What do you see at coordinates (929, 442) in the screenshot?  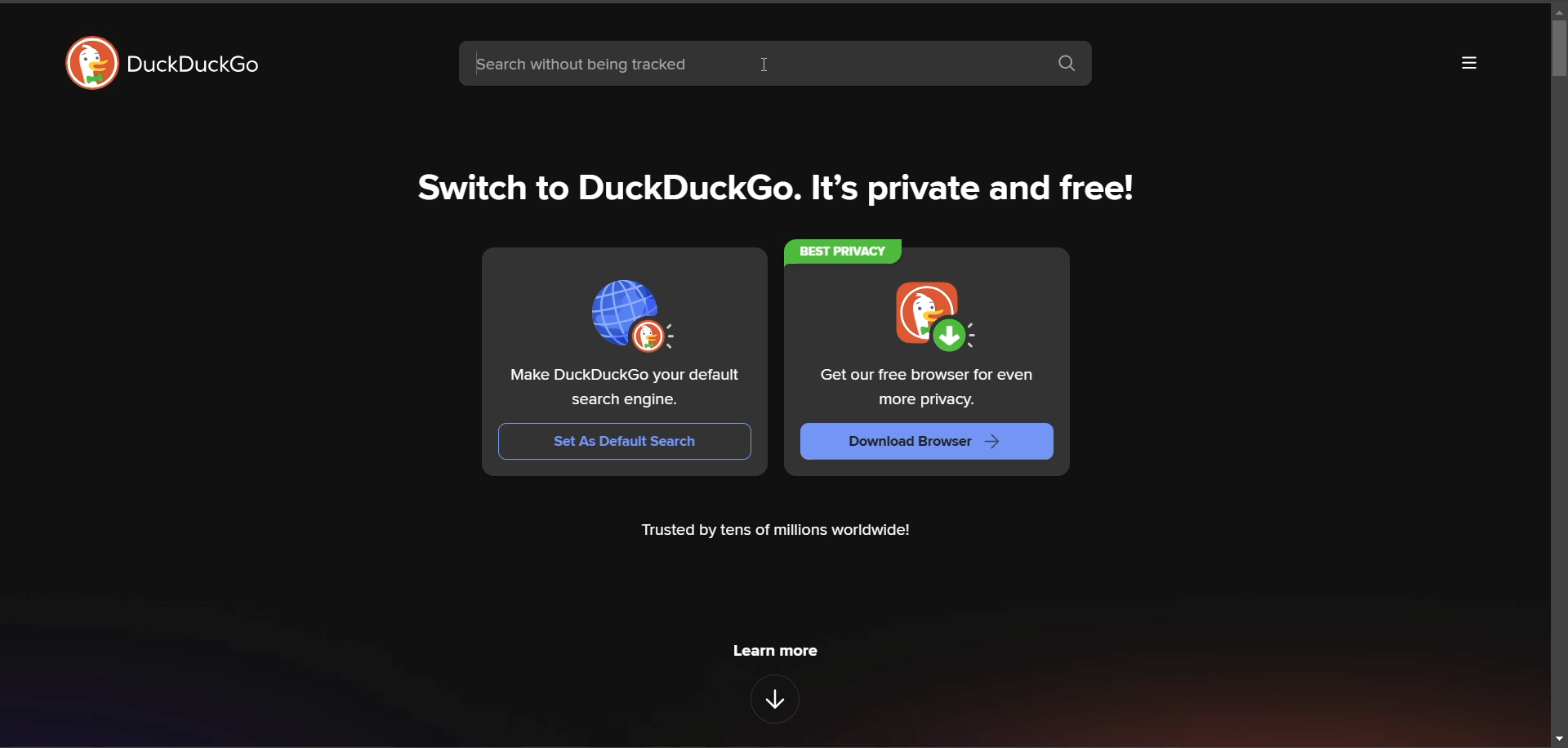 I see `download browser` at bounding box center [929, 442].